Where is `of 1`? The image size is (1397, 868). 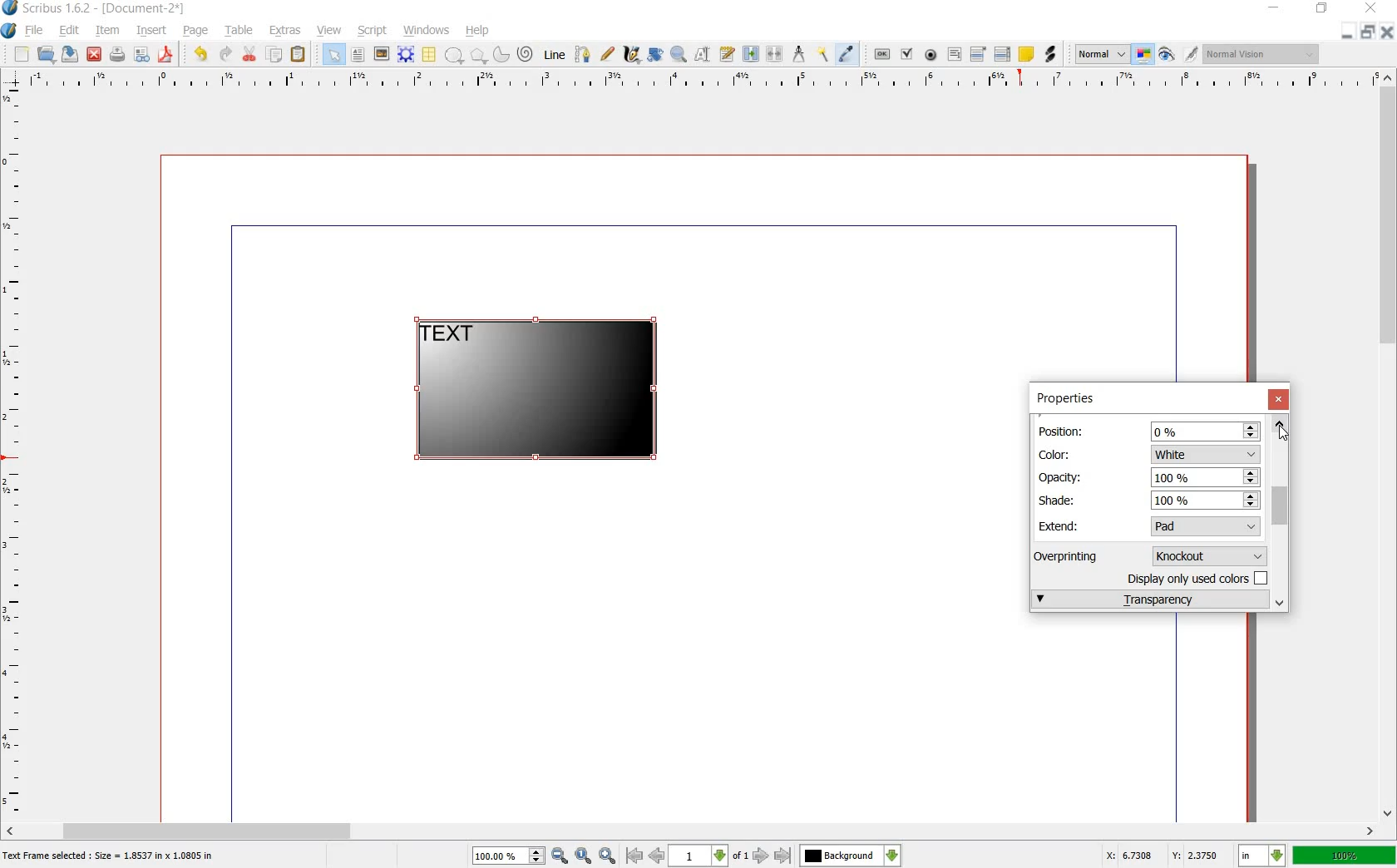 of 1 is located at coordinates (739, 857).